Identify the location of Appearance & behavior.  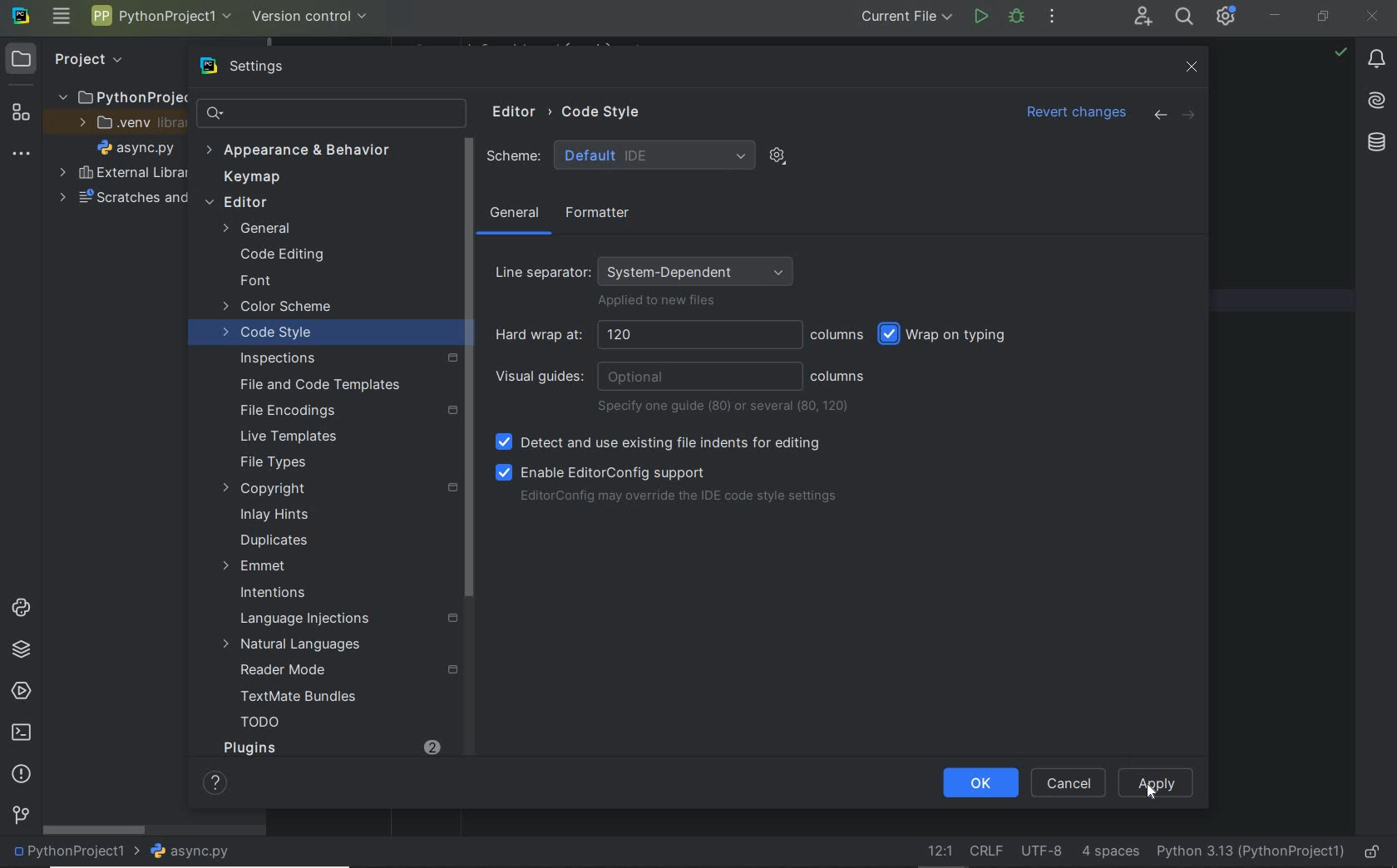
(310, 151).